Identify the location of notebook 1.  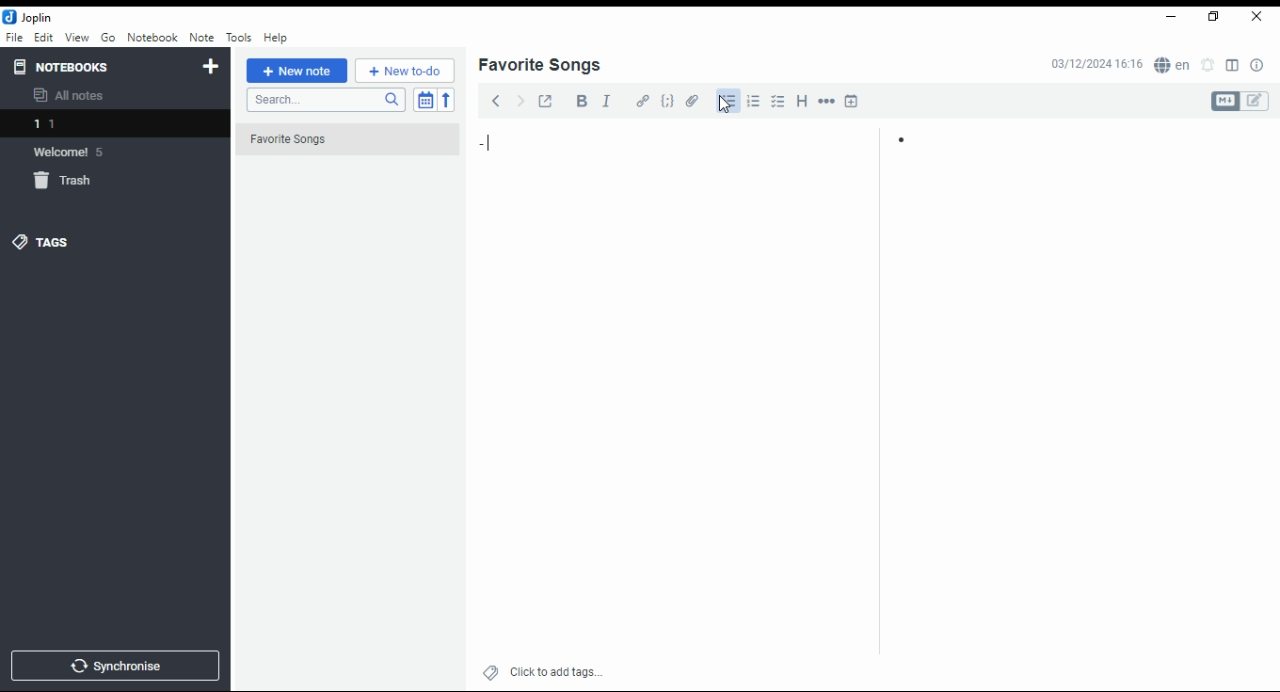
(73, 126).